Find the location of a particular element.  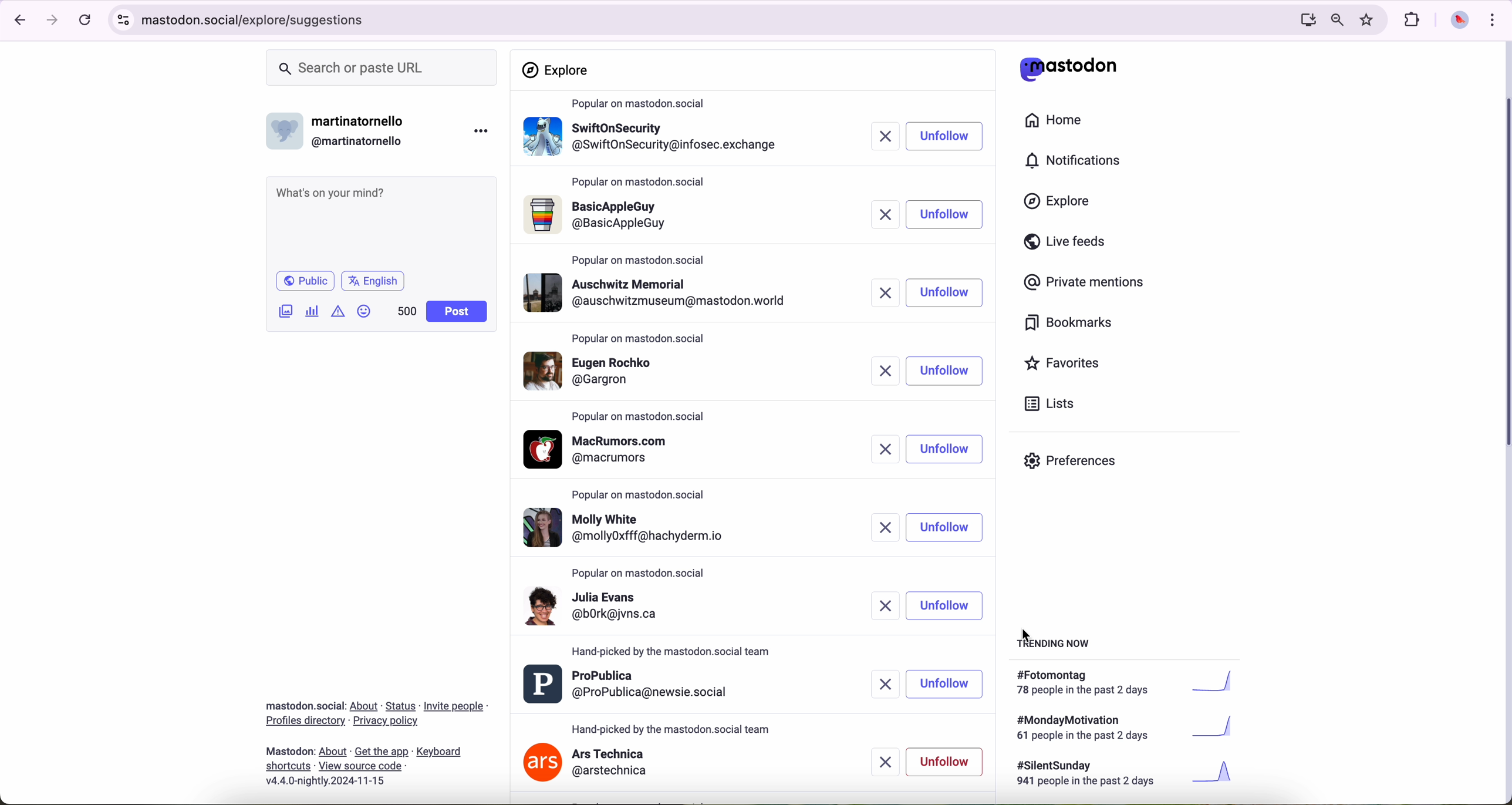

cursor is located at coordinates (1029, 638).